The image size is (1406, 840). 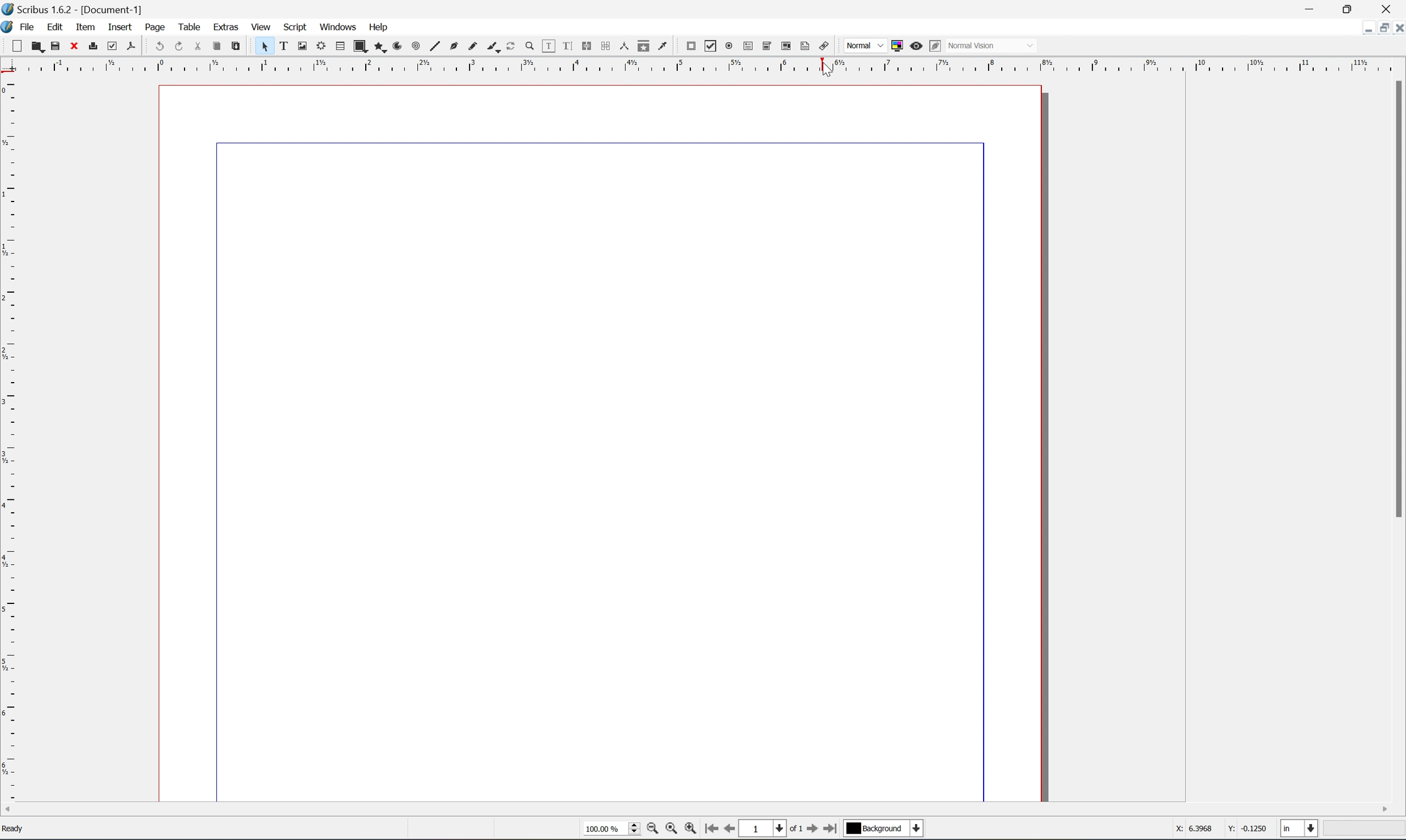 What do you see at coordinates (916, 45) in the screenshot?
I see `preview mode` at bounding box center [916, 45].